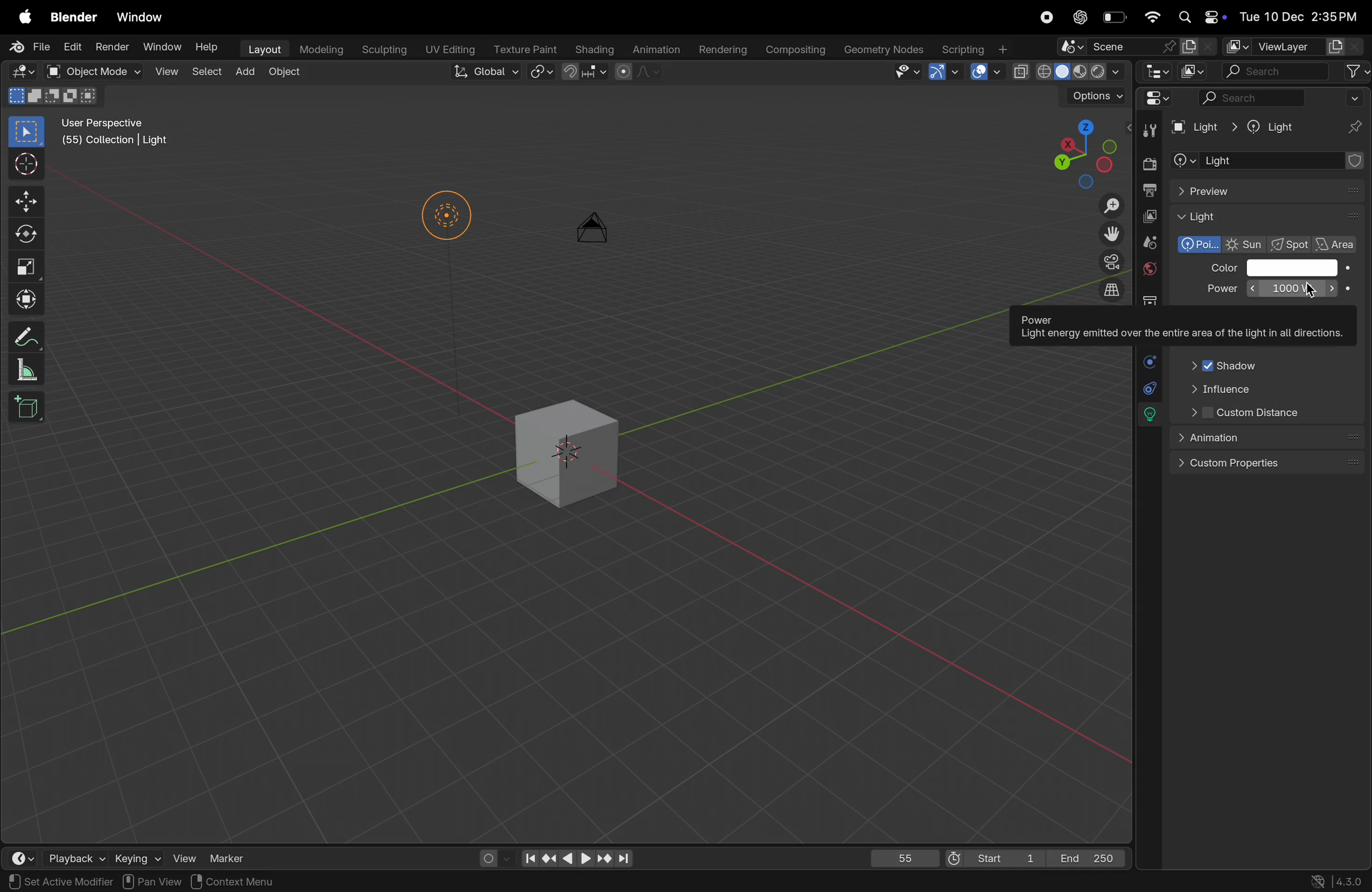  What do you see at coordinates (1272, 127) in the screenshot?
I see `Light` at bounding box center [1272, 127].